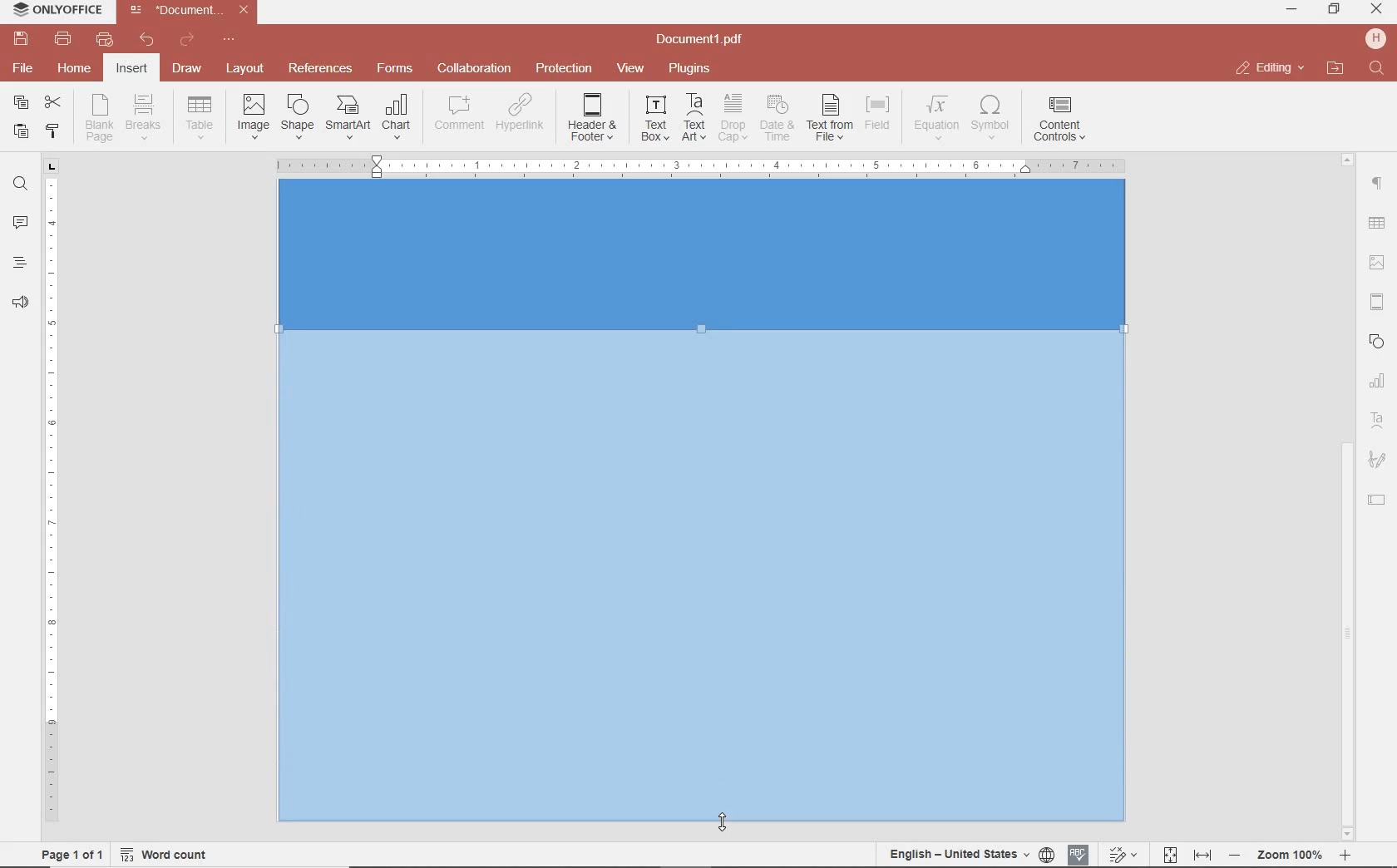 The height and width of the screenshot is (868, 1397). Describe the element at coordinates (229, 40) in the screenshot. I see `customize quick access toolbar` at that location.